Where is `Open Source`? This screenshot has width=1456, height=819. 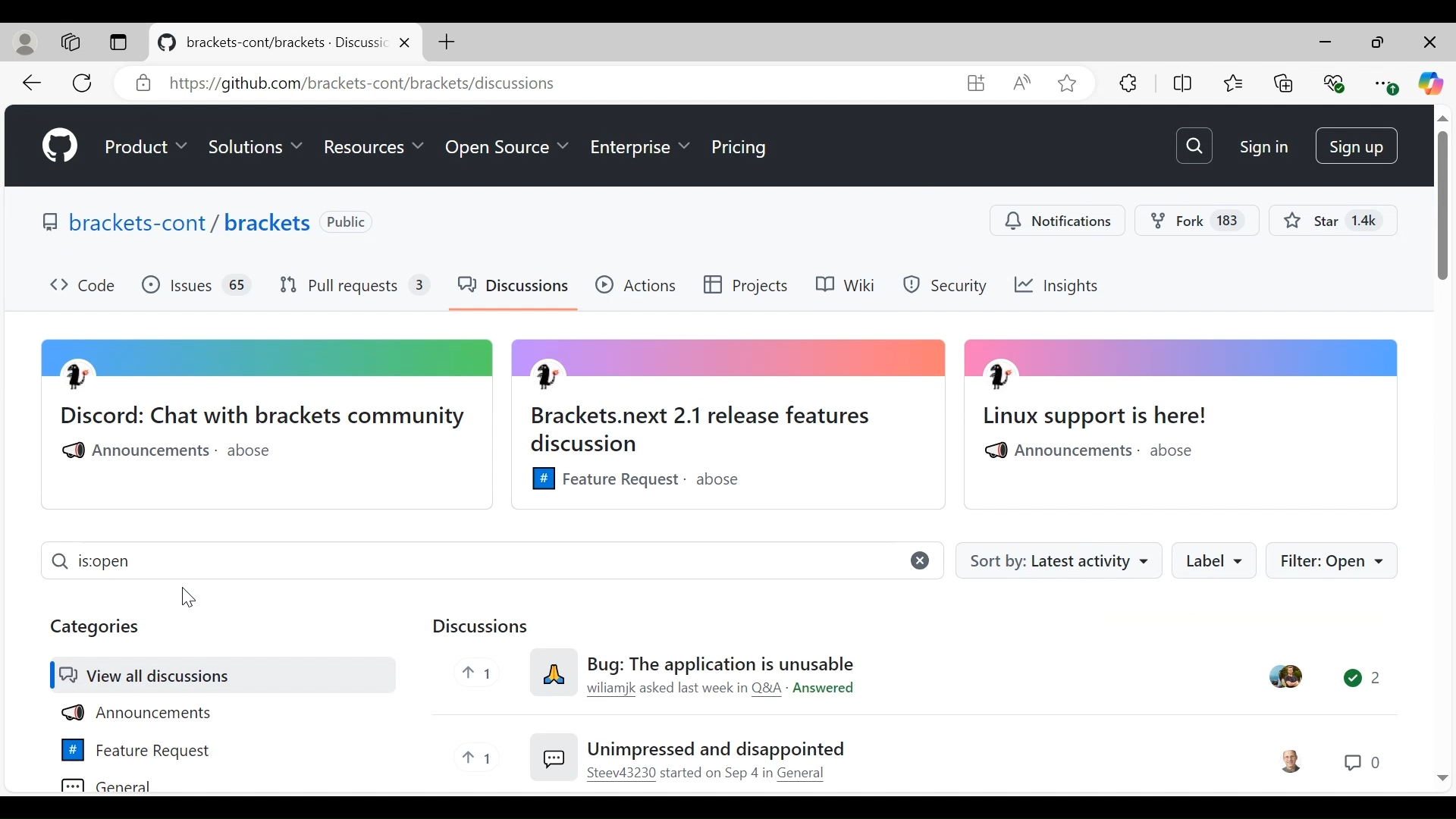
Open Source is located at coordinates (506, 151).